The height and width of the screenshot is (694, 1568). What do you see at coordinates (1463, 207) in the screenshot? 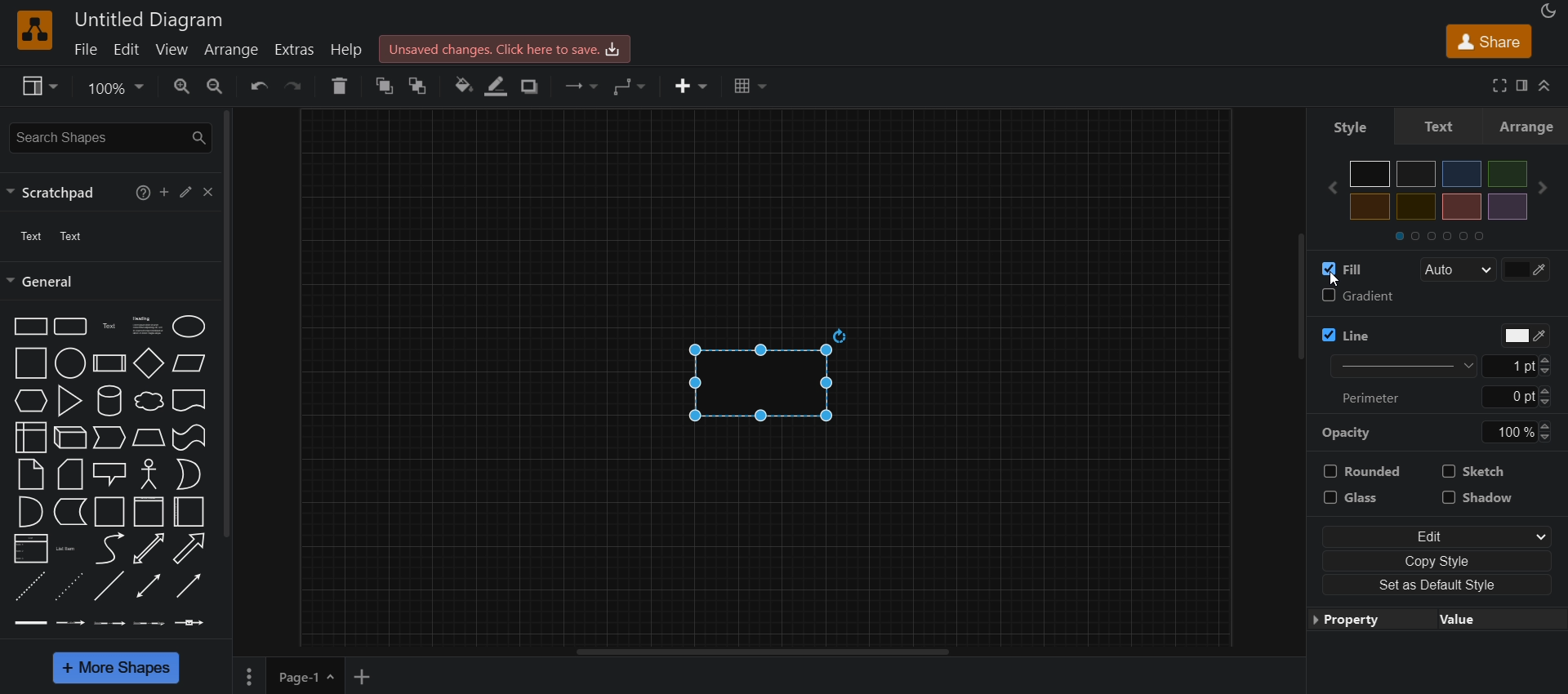
I see `yellow` at bounding box center [1463, 207].